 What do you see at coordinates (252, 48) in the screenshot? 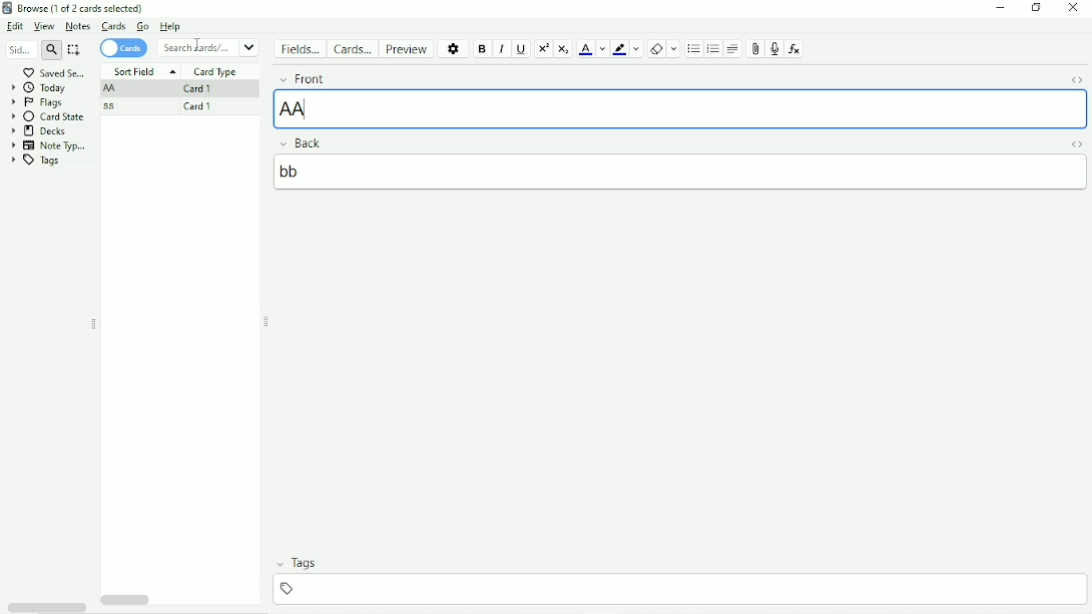
I see `search options` at bounding box center [252, 48].